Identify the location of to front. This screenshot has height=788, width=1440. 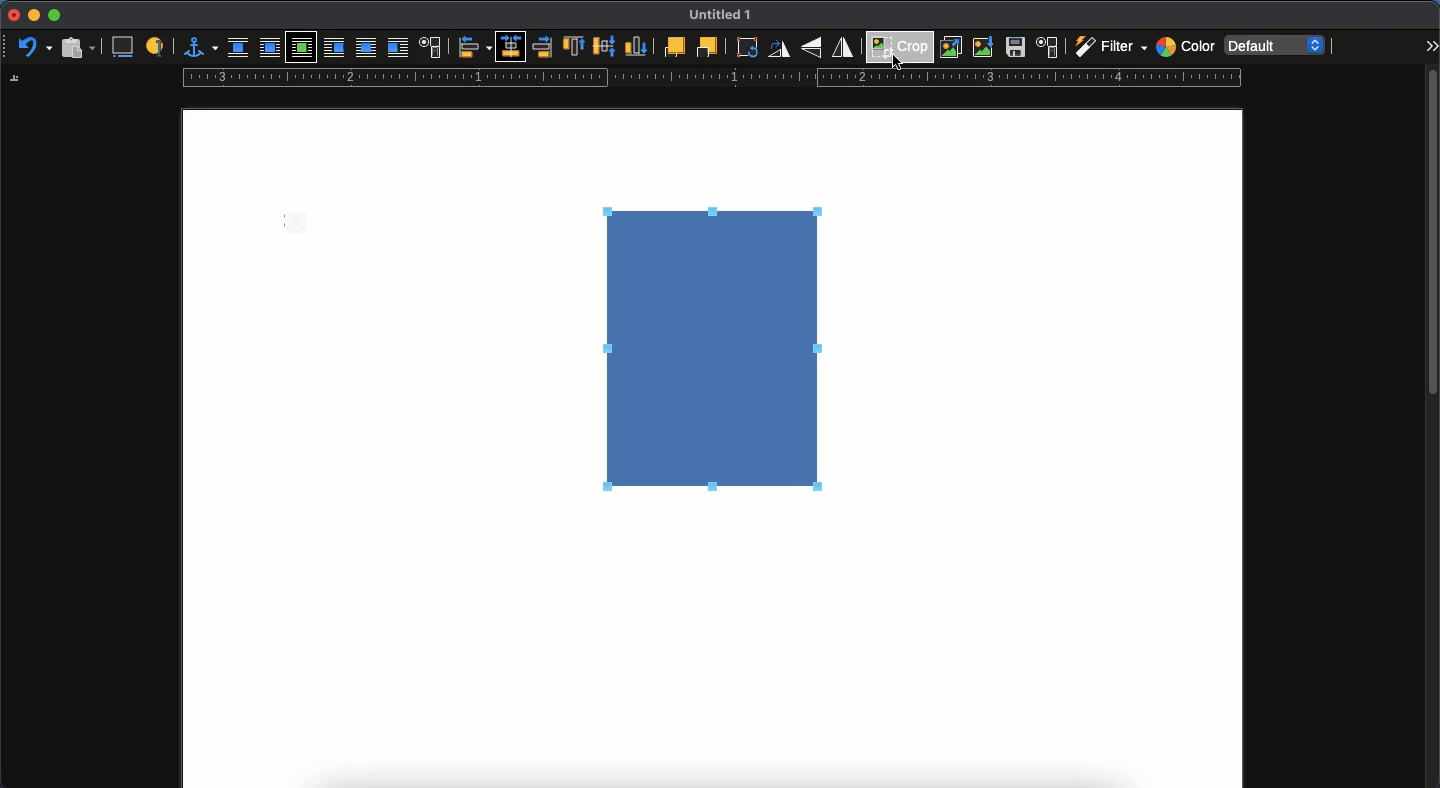
(673, 47).